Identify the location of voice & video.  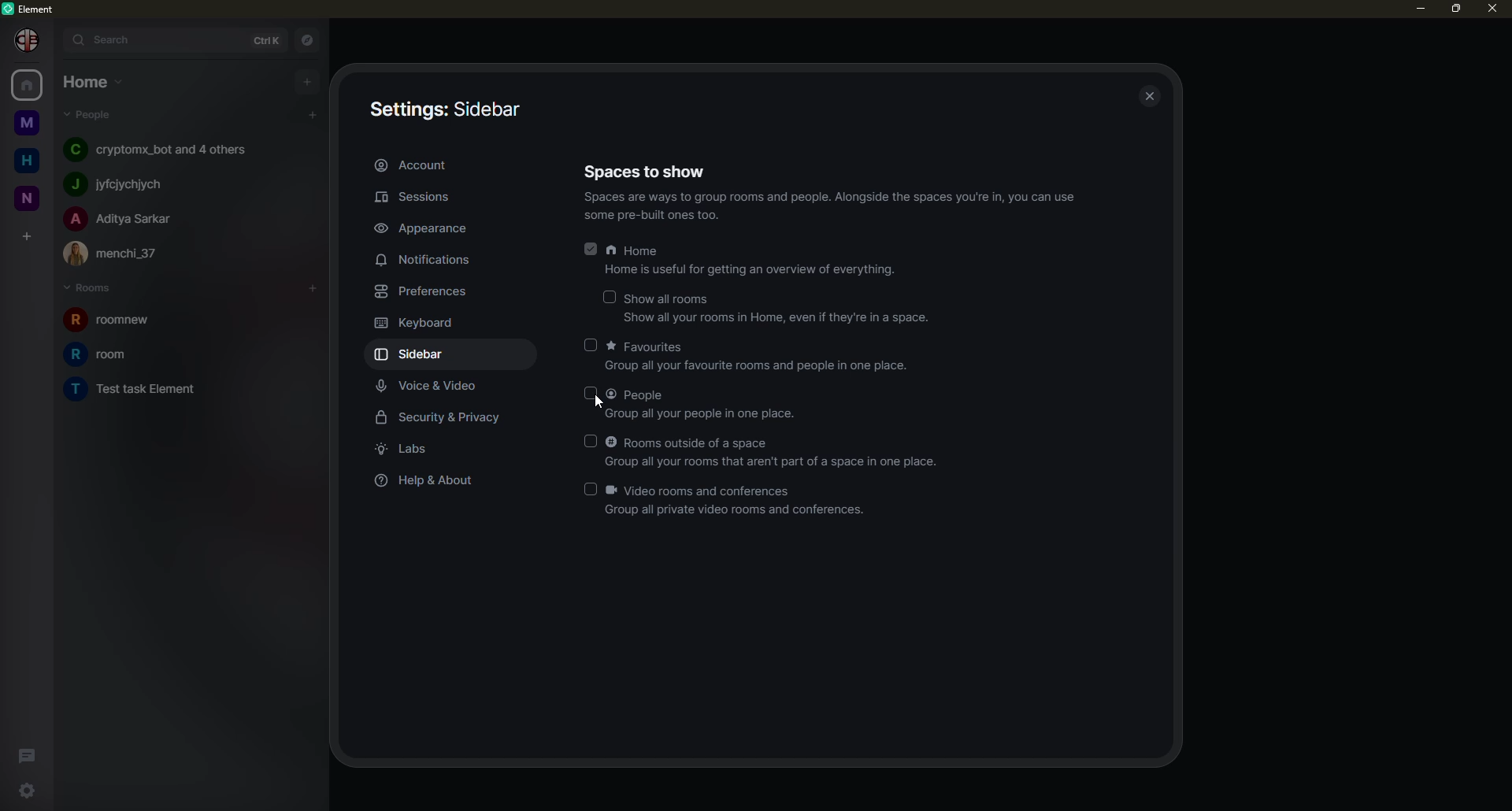
(436, 385).